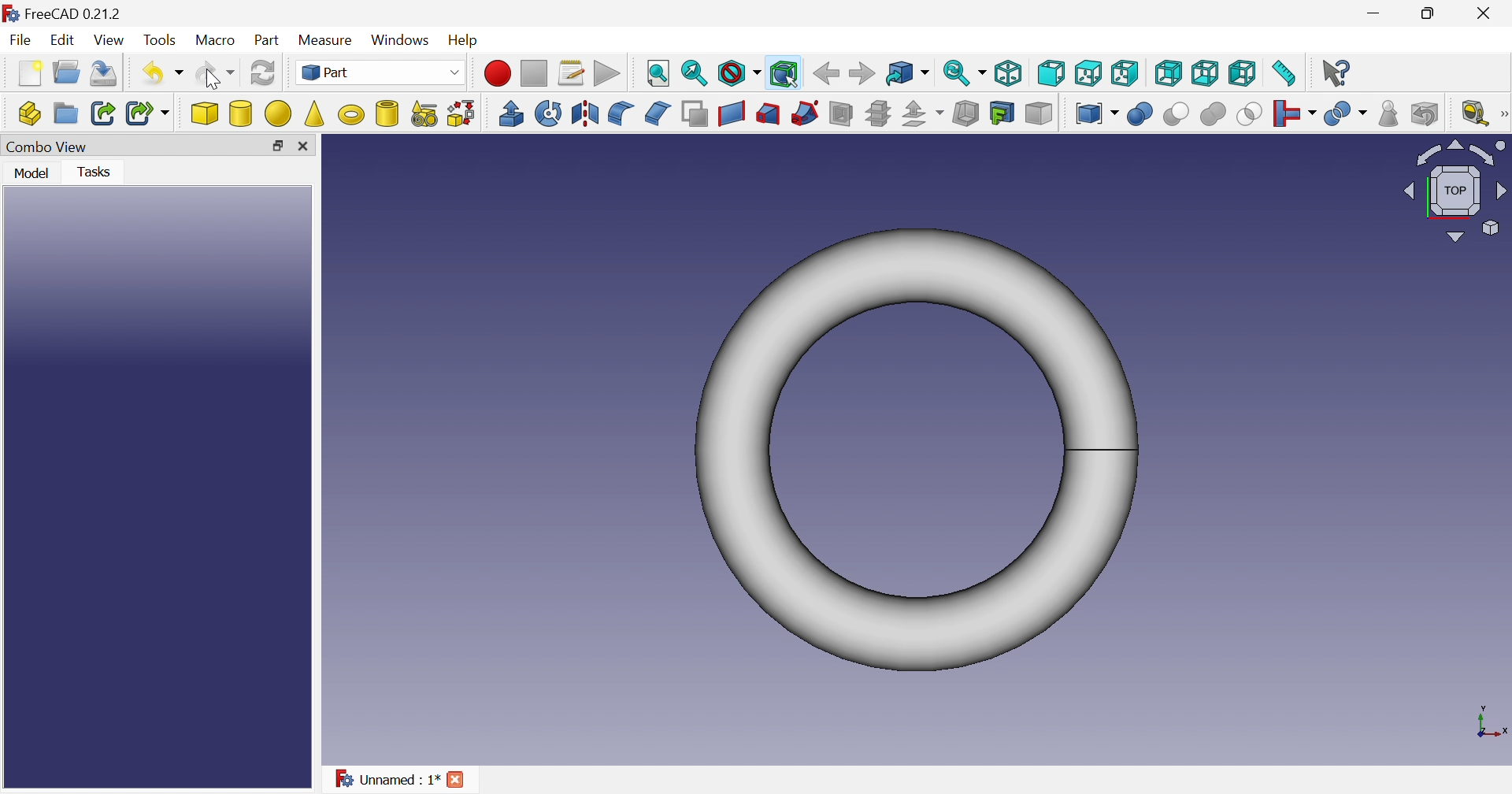 This screenshot has width=1512, height=794. I want to click on Macro, so click(215, 42).